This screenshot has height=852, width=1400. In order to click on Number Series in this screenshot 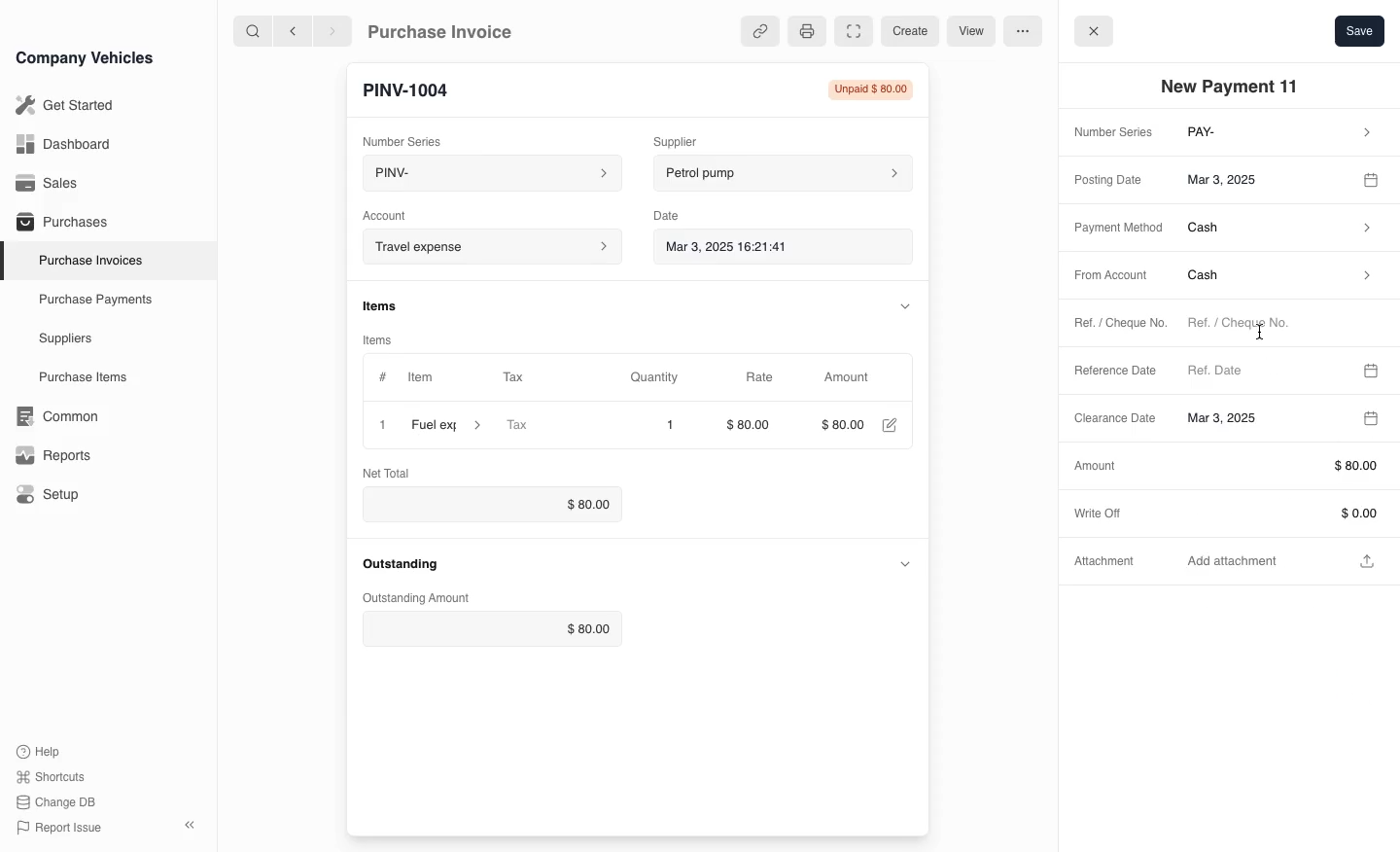, I will do `click(1109, 133)`.